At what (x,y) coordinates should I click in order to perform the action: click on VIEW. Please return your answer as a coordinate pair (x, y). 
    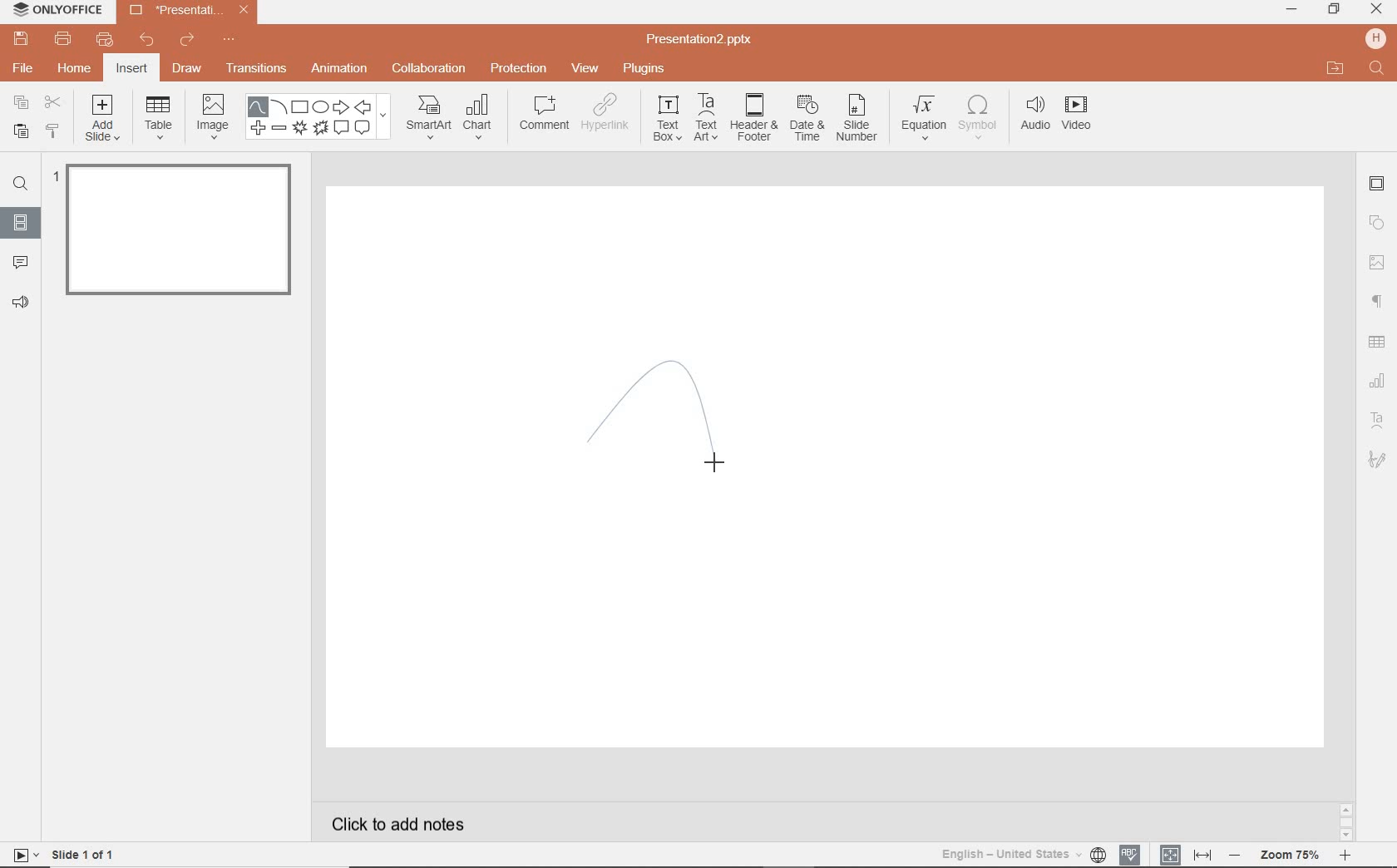
    Looking at the image, I should click on (585, 67).